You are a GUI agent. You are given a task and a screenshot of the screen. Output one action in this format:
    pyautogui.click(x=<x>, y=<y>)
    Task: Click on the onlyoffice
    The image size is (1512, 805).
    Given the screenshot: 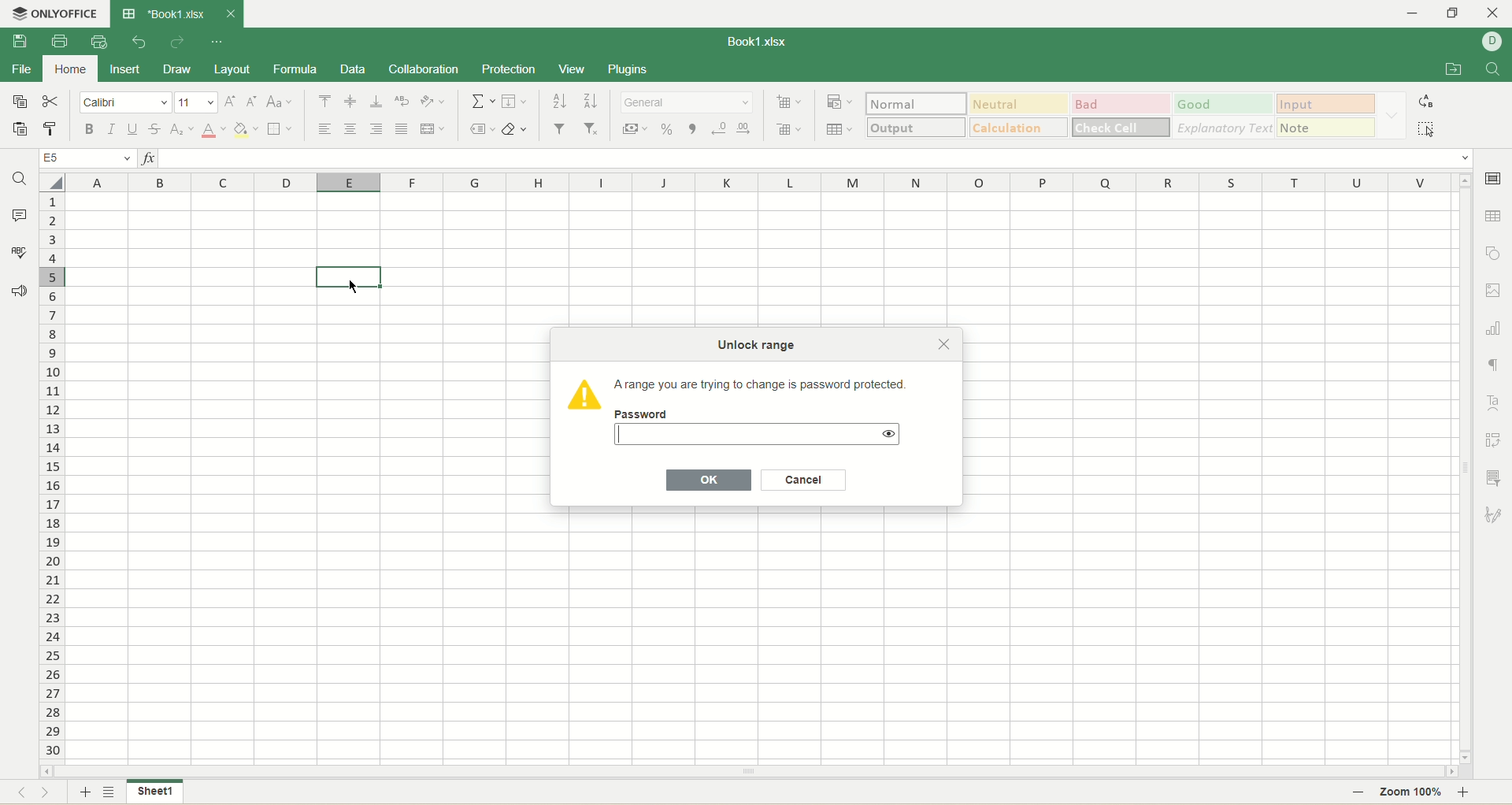 What is the action you would take?
    pyautogui.click(x=56, y=17)
    